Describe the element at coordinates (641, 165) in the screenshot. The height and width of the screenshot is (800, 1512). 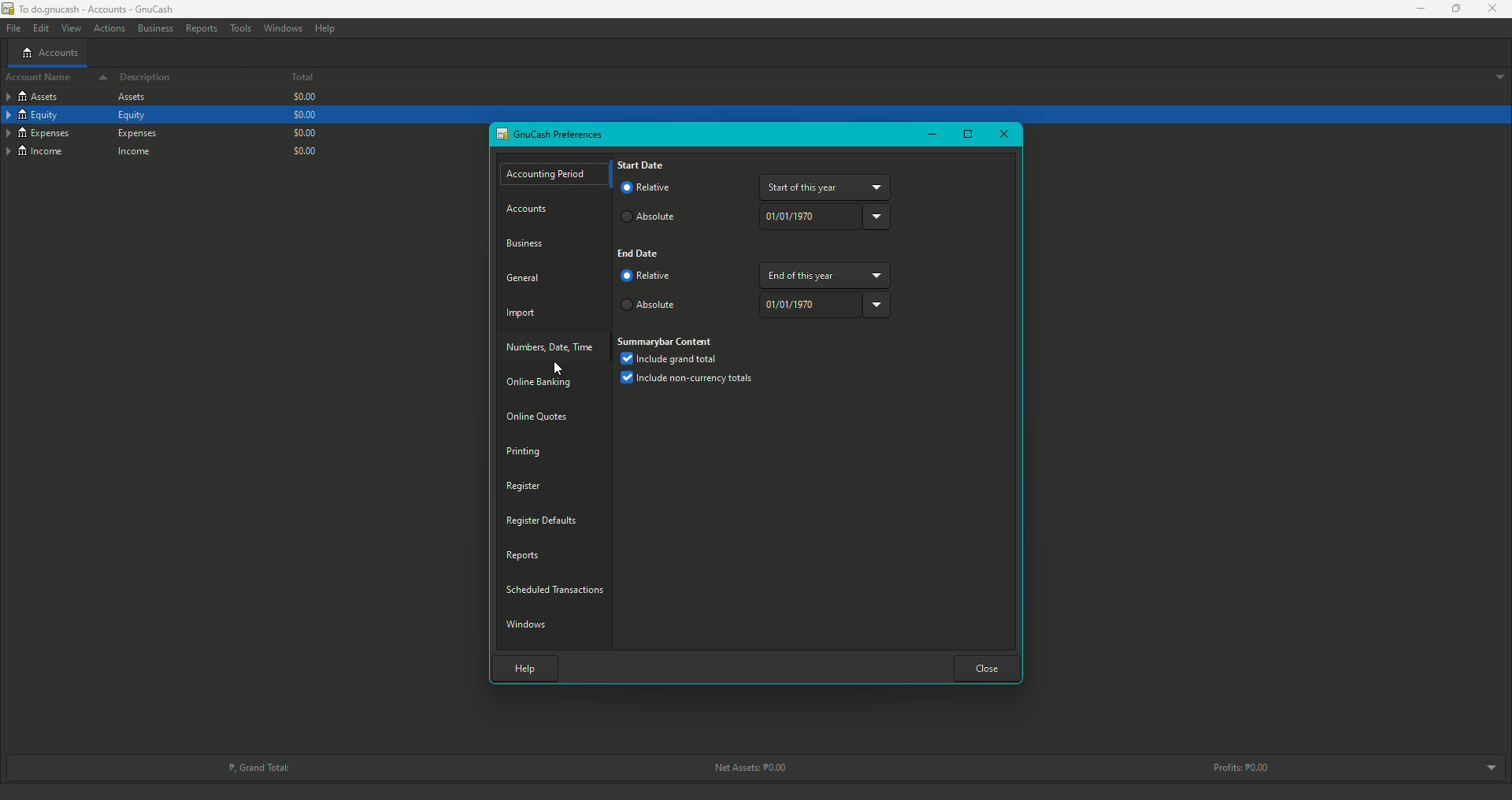
I see `Start date` at that location.